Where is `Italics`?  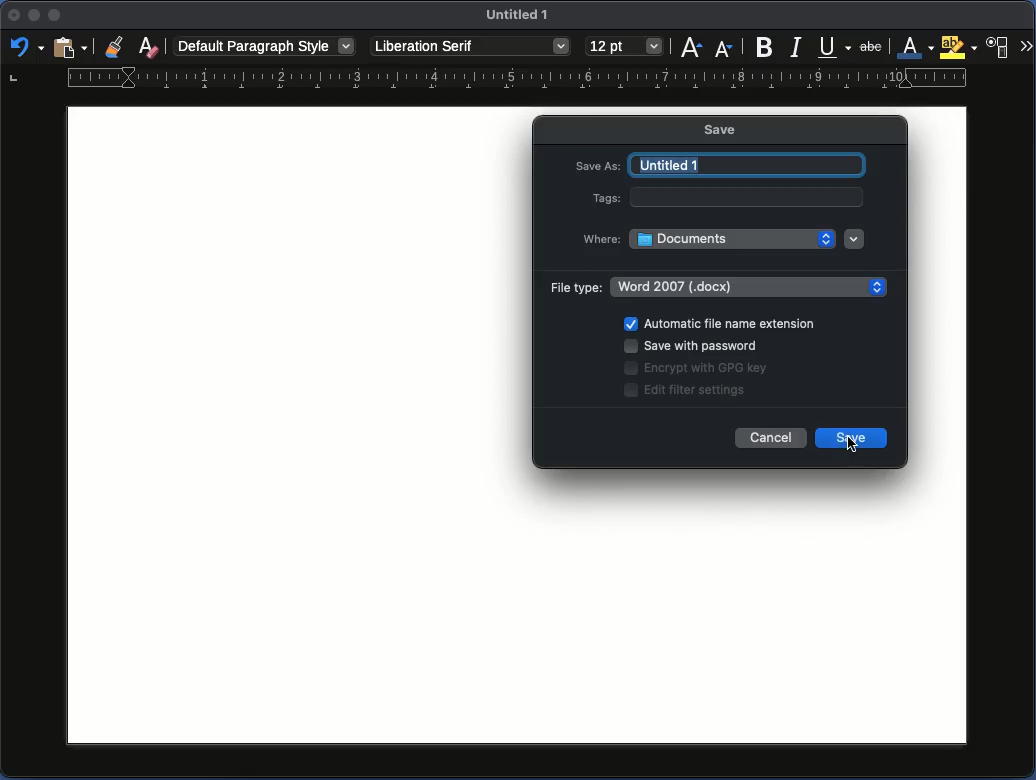 Italics is located at coordinates (797, 46).